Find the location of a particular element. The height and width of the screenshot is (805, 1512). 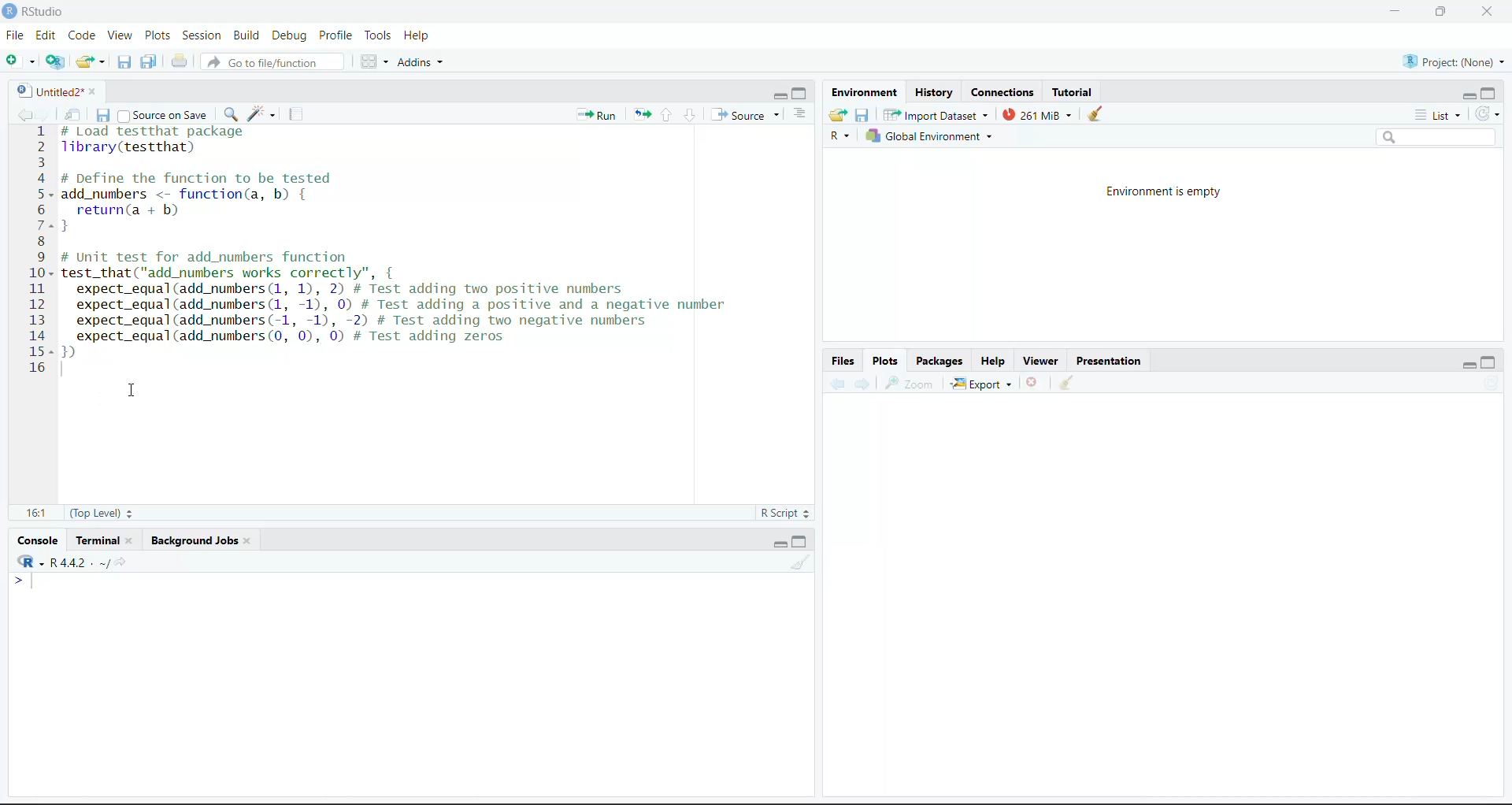

Save all the open documents is located at coordinates (150, 61).